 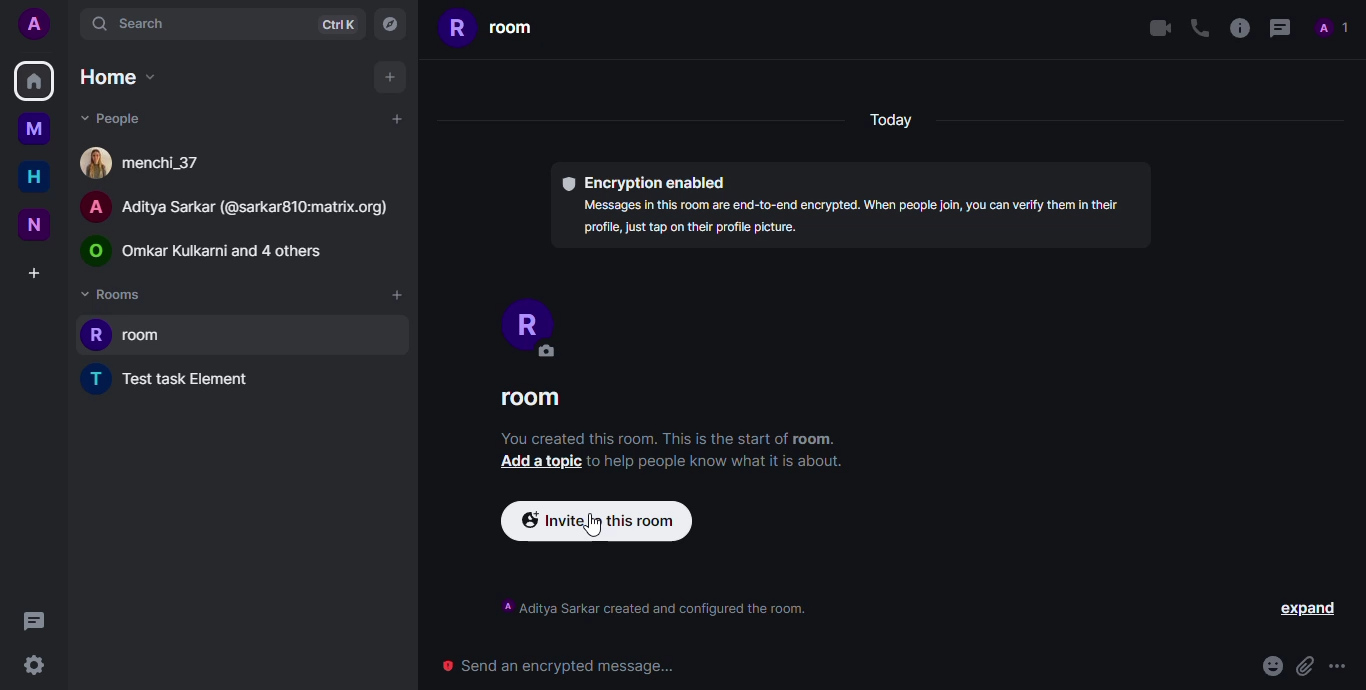 I want to click on threads, so click(x=1281, y=27).